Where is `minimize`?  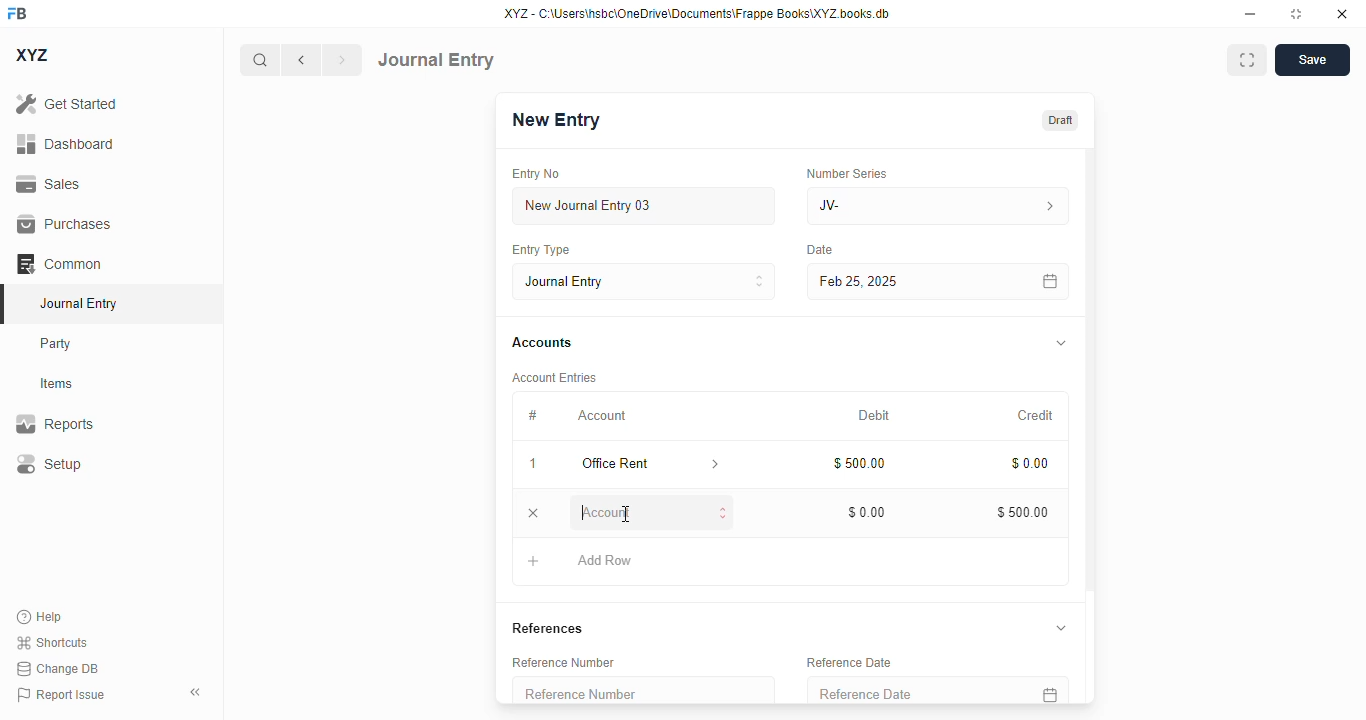 minimize is located at coordinates (1251, 13).